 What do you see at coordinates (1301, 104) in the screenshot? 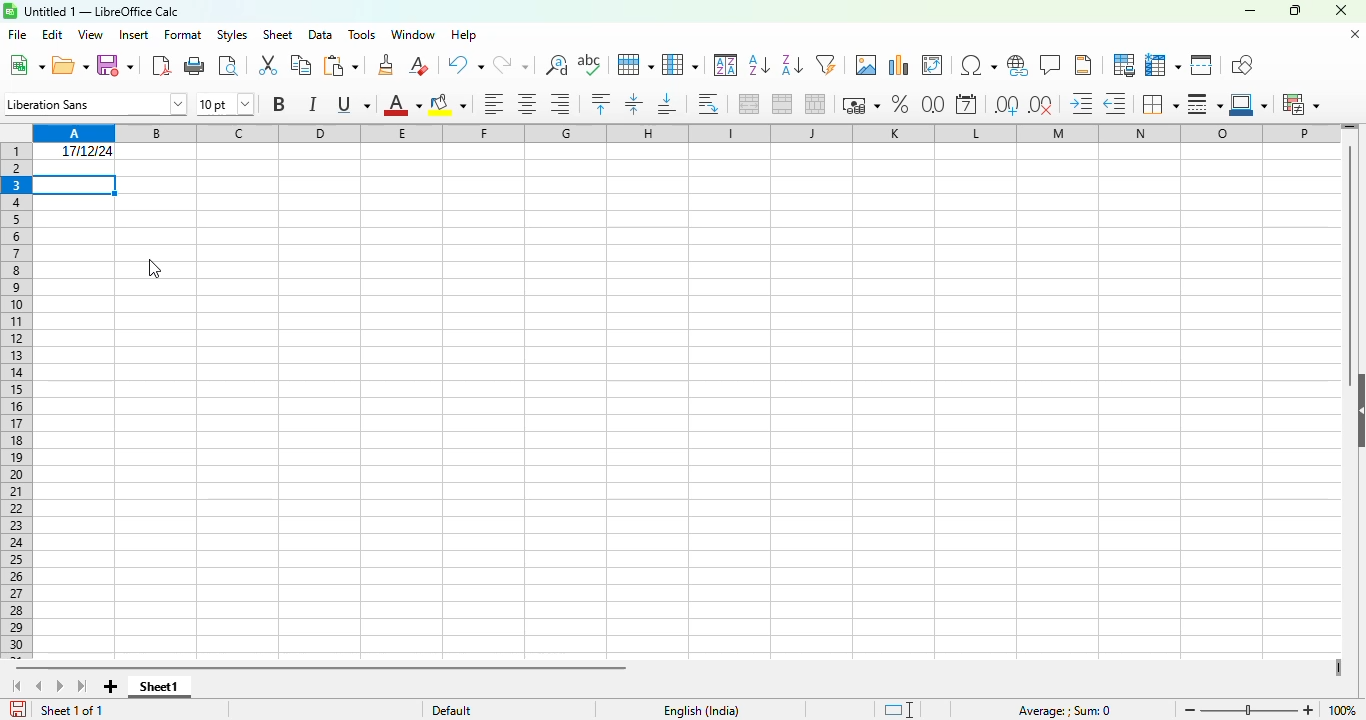
I see `conditional` at bounding box center [1301, 104].